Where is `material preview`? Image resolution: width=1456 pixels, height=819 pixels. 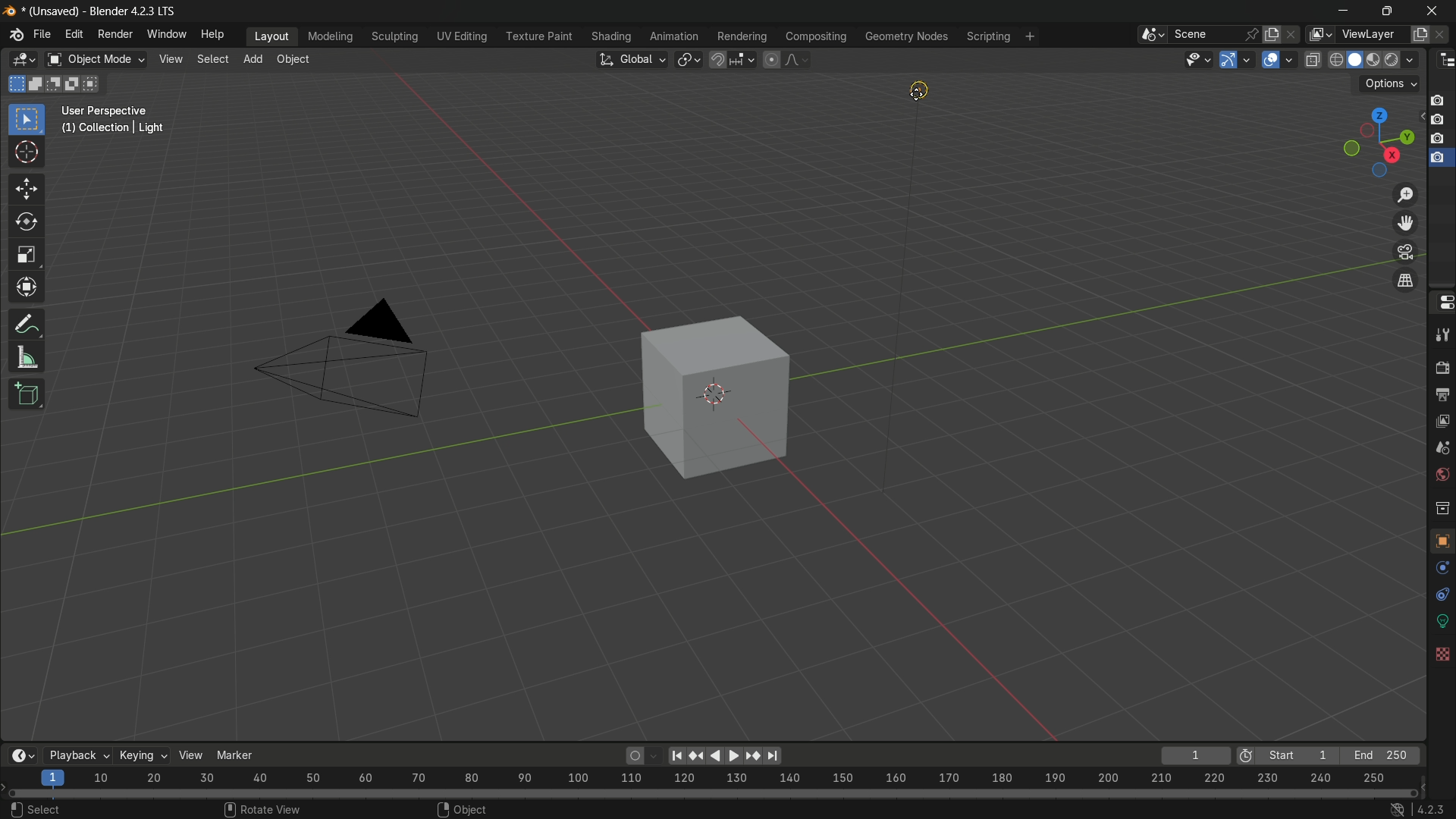
material preview is located at coordinates (1376, 59).